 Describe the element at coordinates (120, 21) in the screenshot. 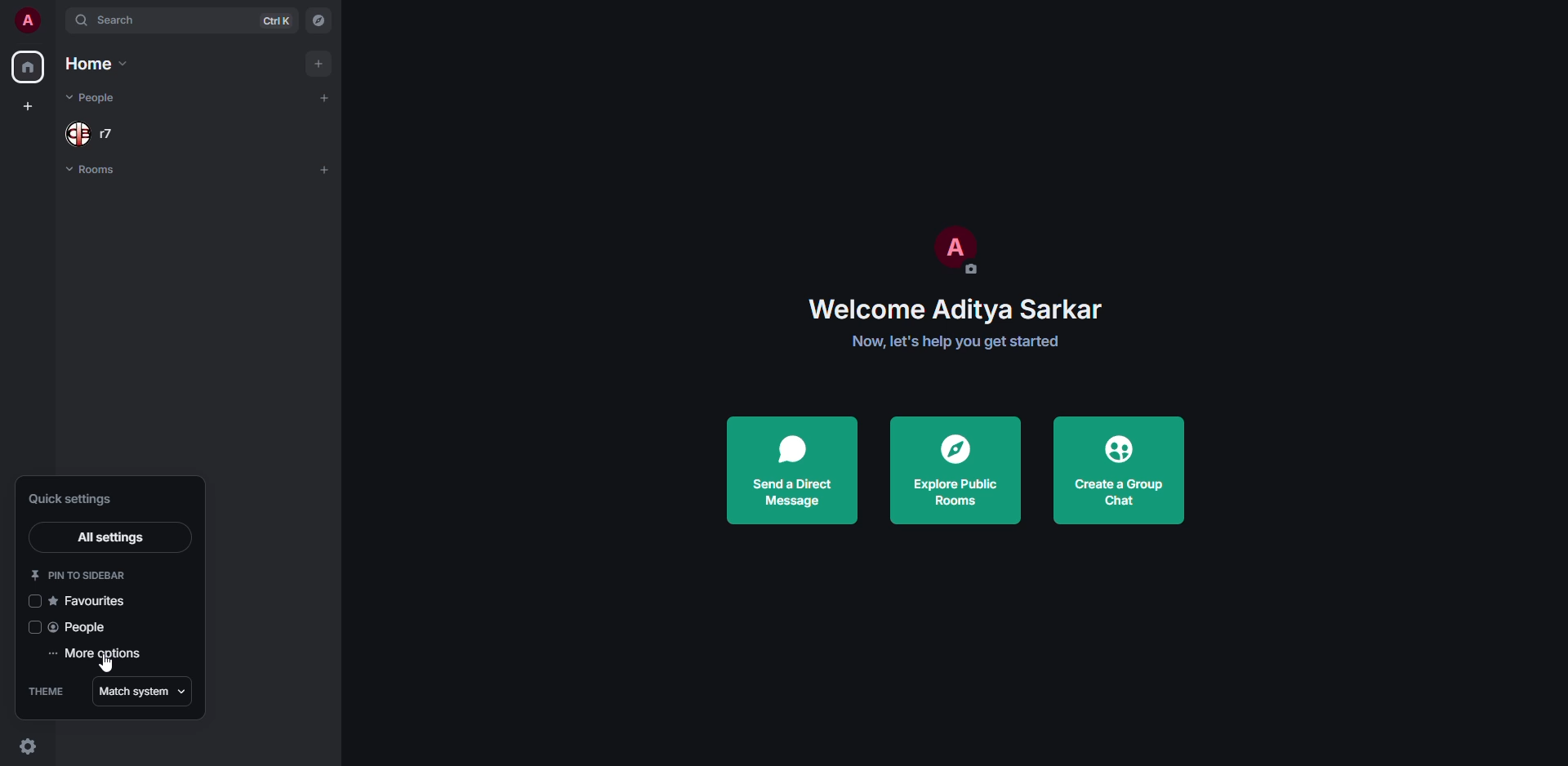

I see `search` at that location.